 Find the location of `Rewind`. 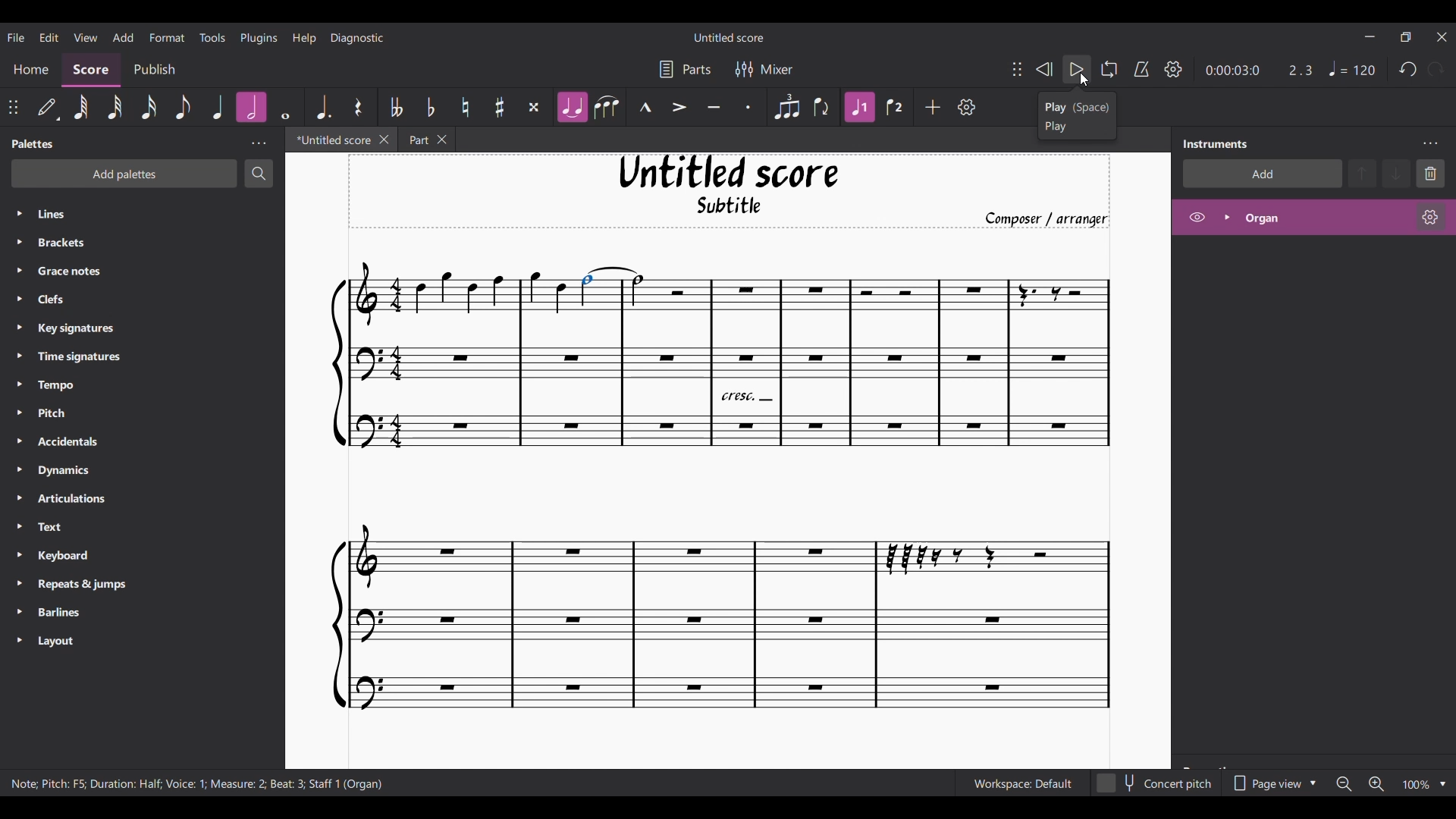

Rewind is located at coordinates (1044, 70).